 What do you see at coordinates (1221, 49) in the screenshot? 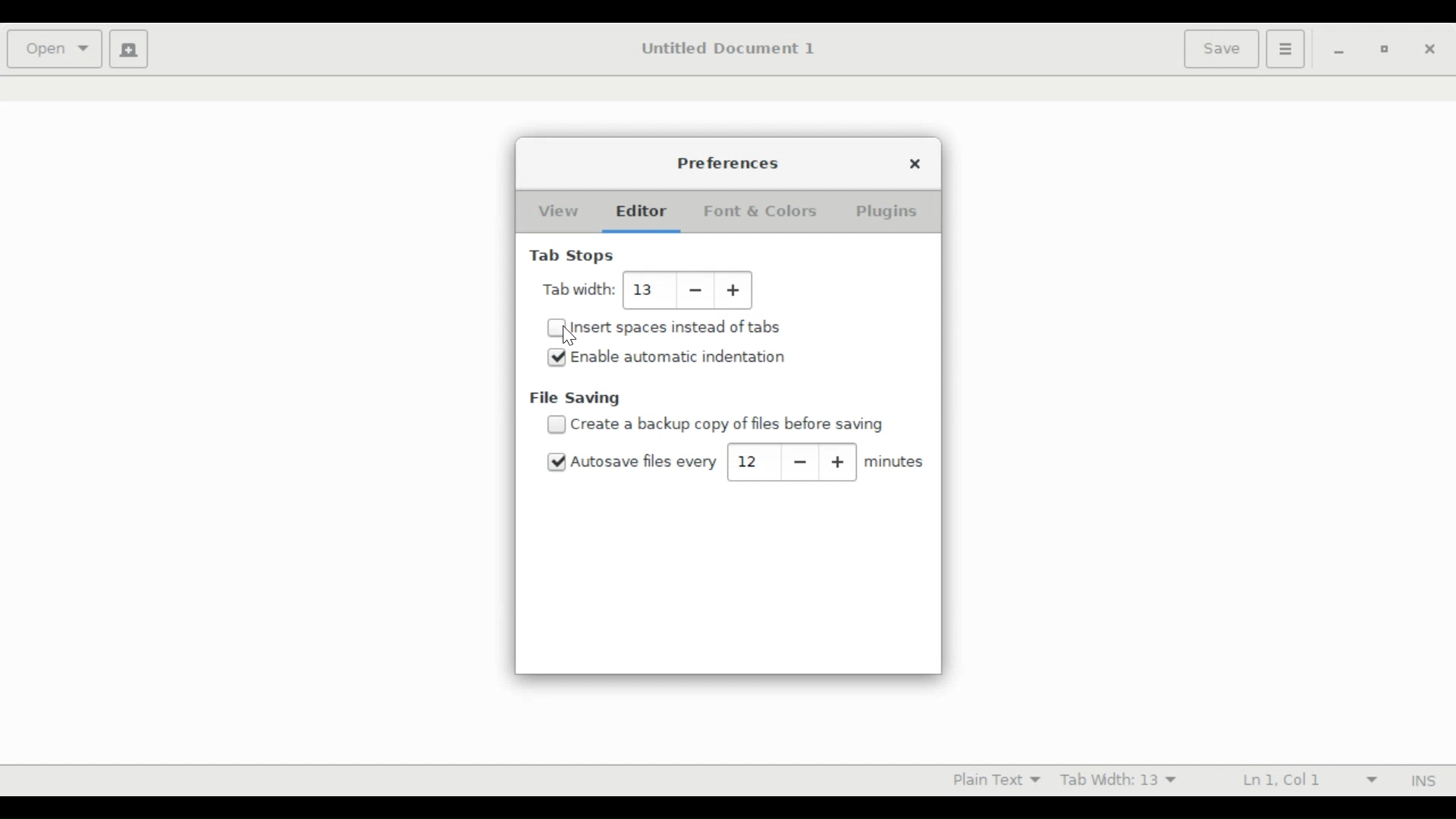
I see `Save` at bounding box center [1221, 49].